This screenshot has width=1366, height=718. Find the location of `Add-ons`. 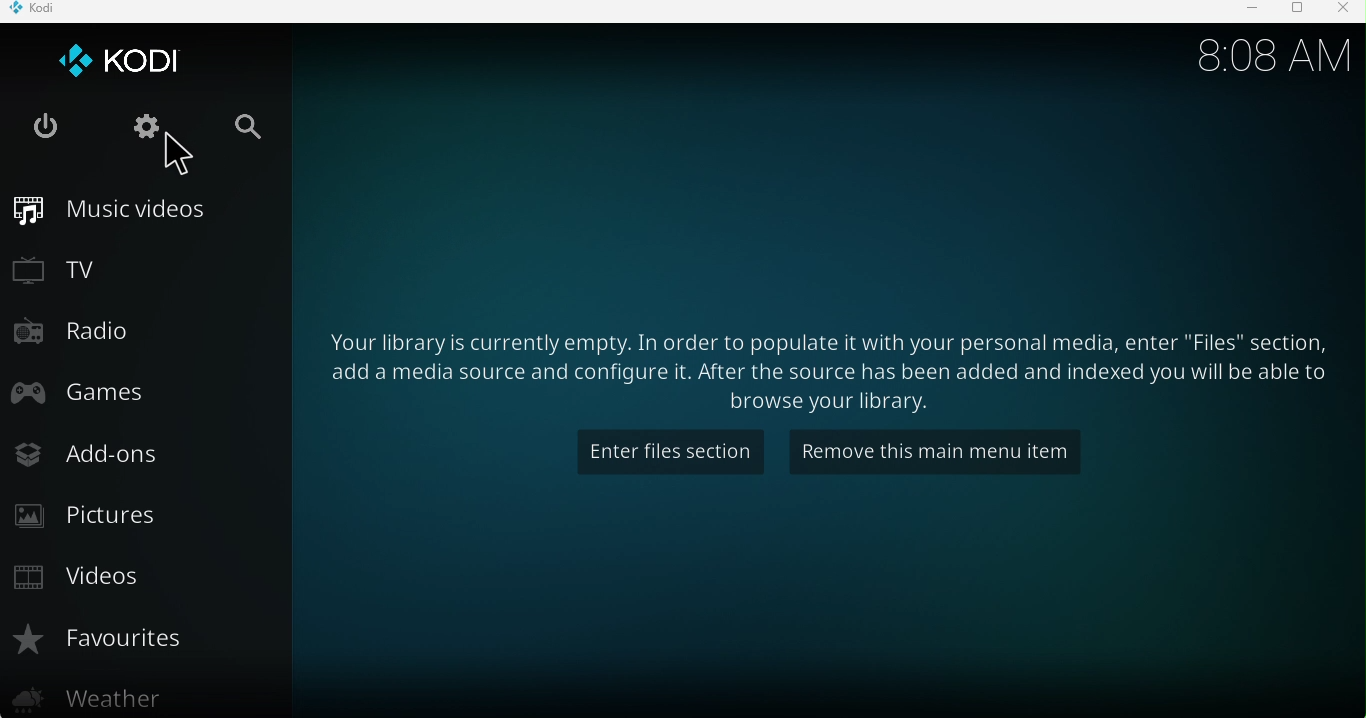

Add-ons is located at coordinates (127, 453).